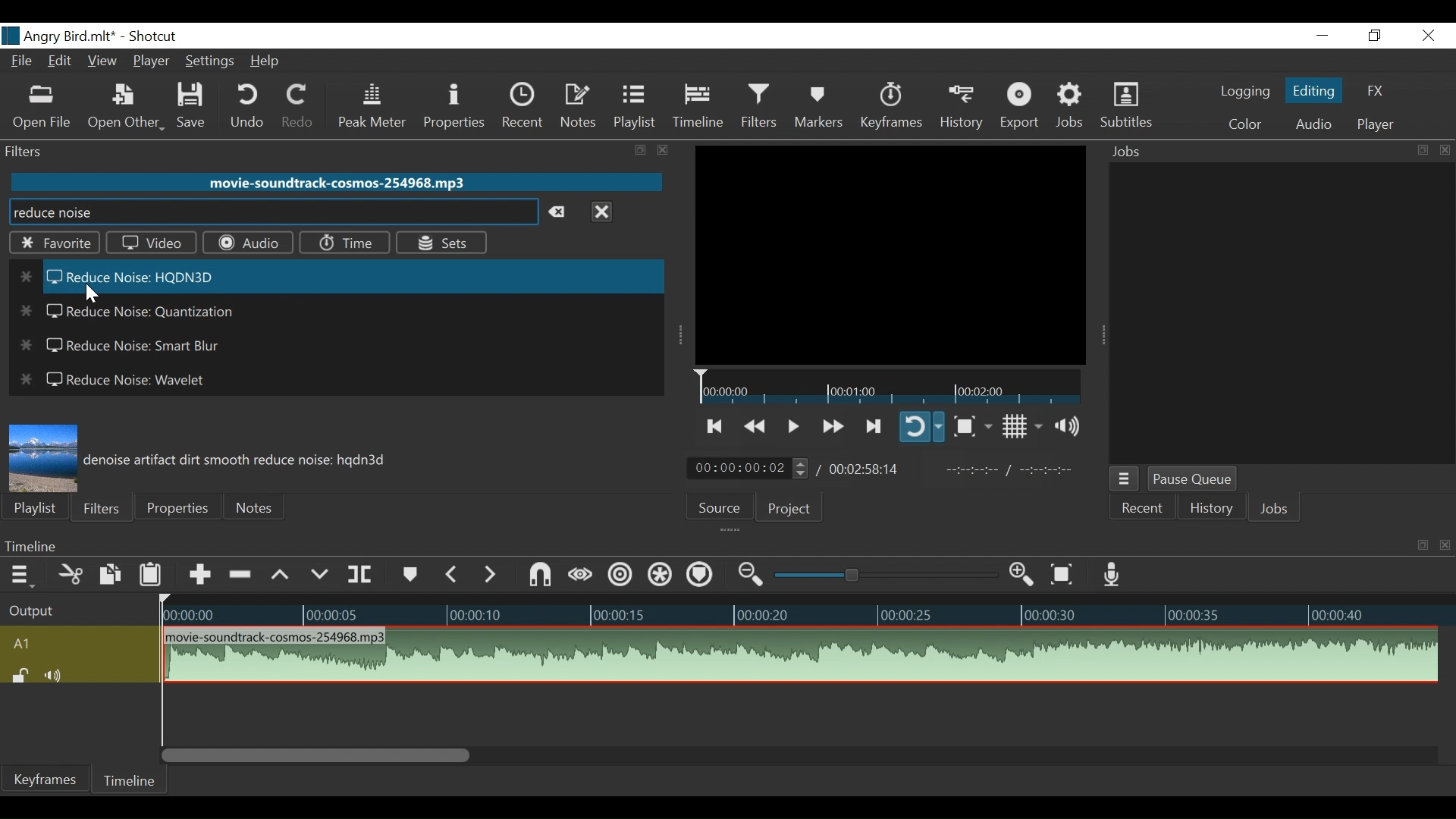 This screenshot has width=1456, height=819. I want to click on Sets, so click(442, 243).